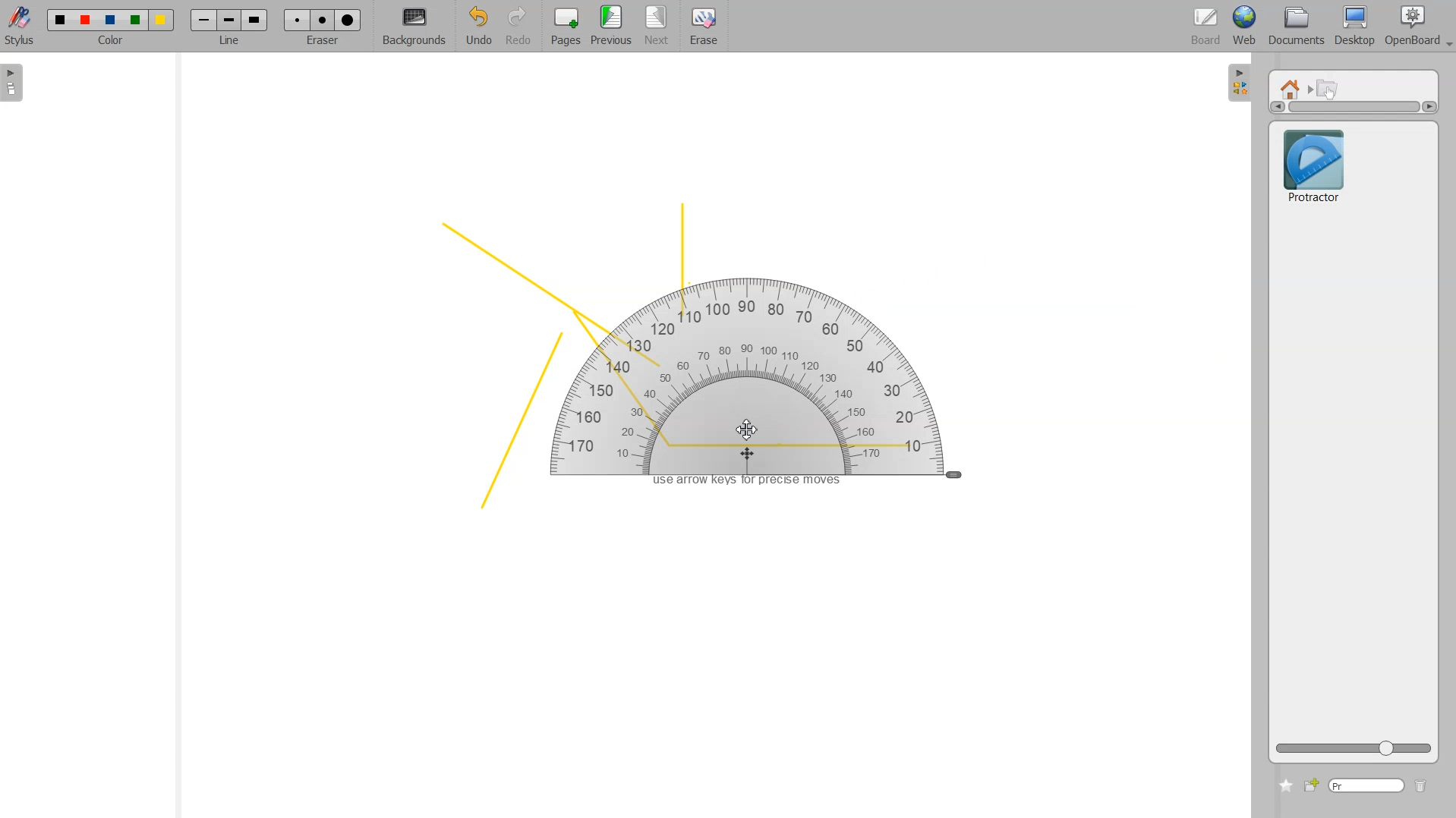 This screenshot has height=818, width=1456. What do you see at coordinates (476, 27) in the screenshot?
I see `Undo` at bounding box center [476, 27].